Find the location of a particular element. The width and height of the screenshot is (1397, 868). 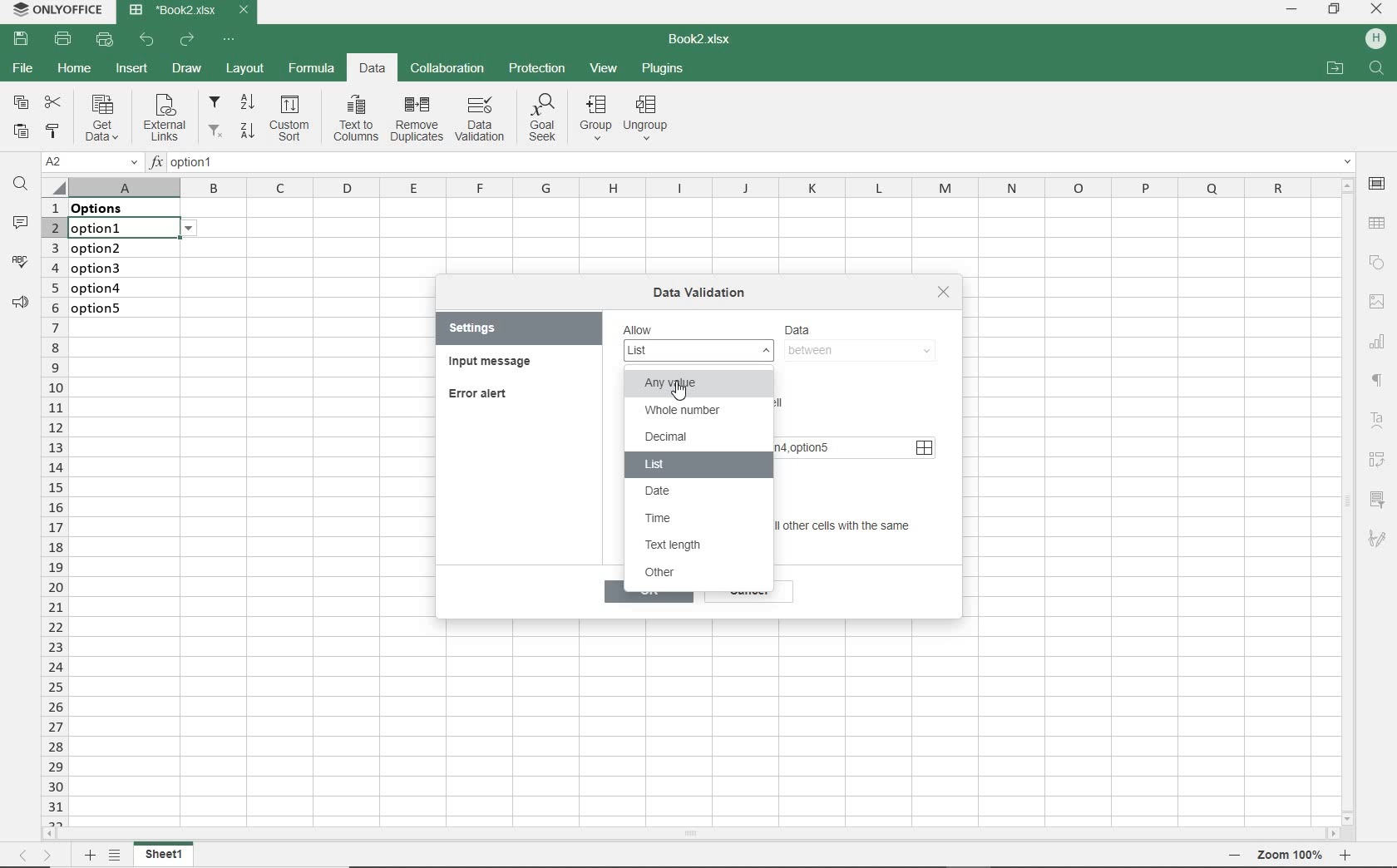

NONPRINTING CHARACTERS is located at coordinates (1380, 382).